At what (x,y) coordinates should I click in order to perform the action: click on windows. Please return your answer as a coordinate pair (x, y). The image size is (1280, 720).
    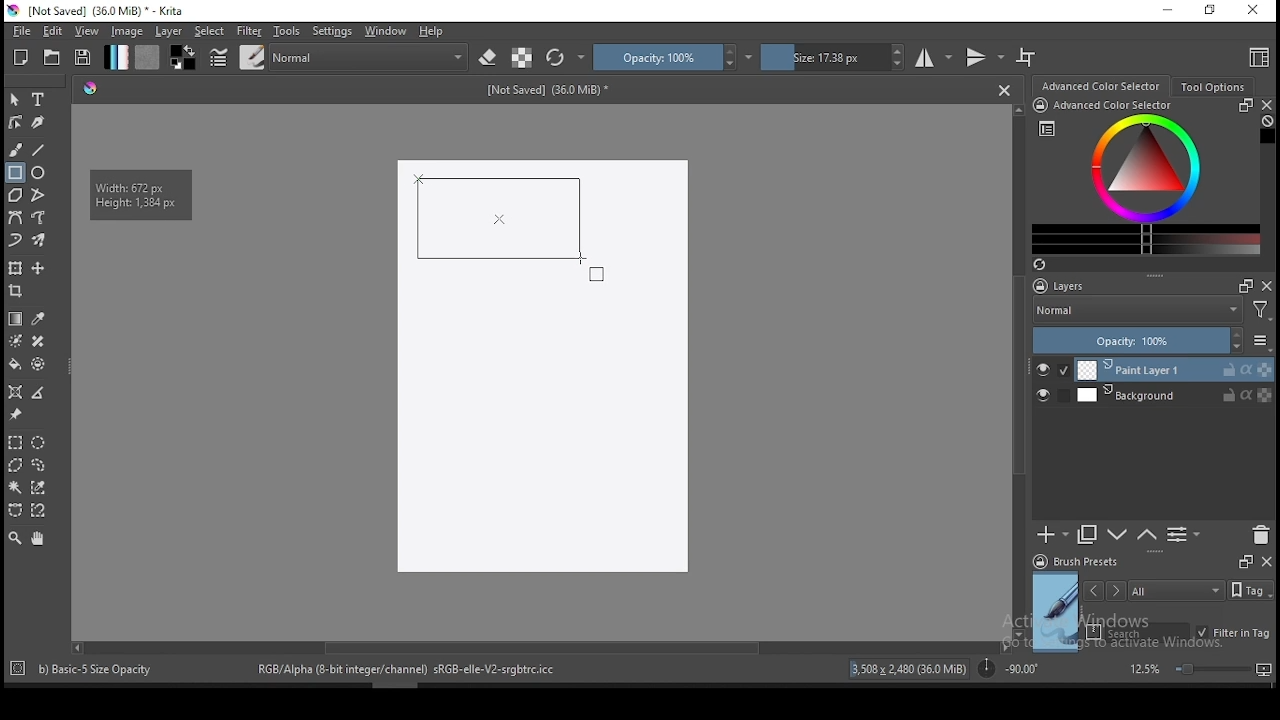
    Looking at the image, I should click on (386, 31).